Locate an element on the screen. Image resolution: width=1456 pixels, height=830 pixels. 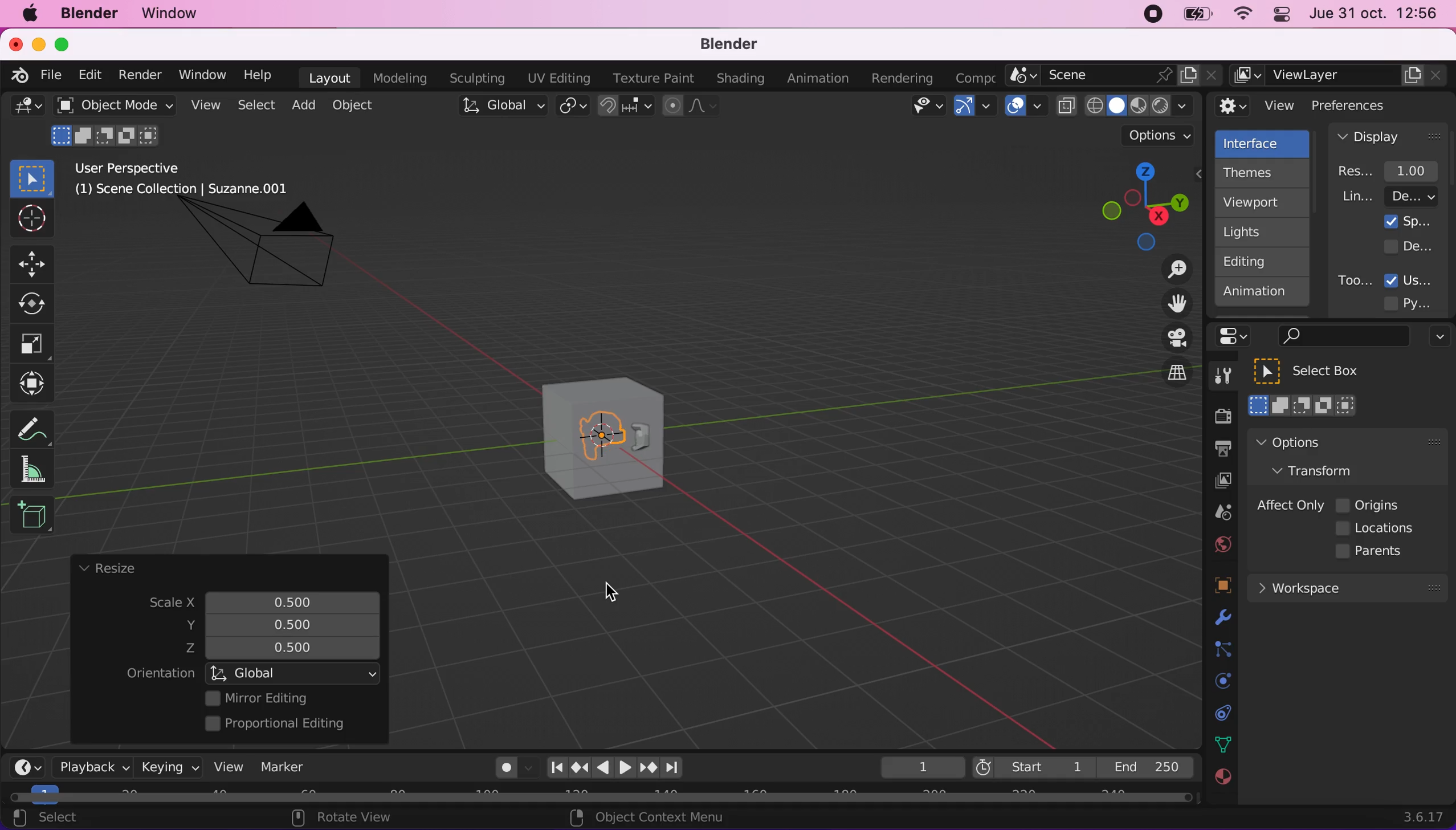
resize is located at coordinates (107, 569).